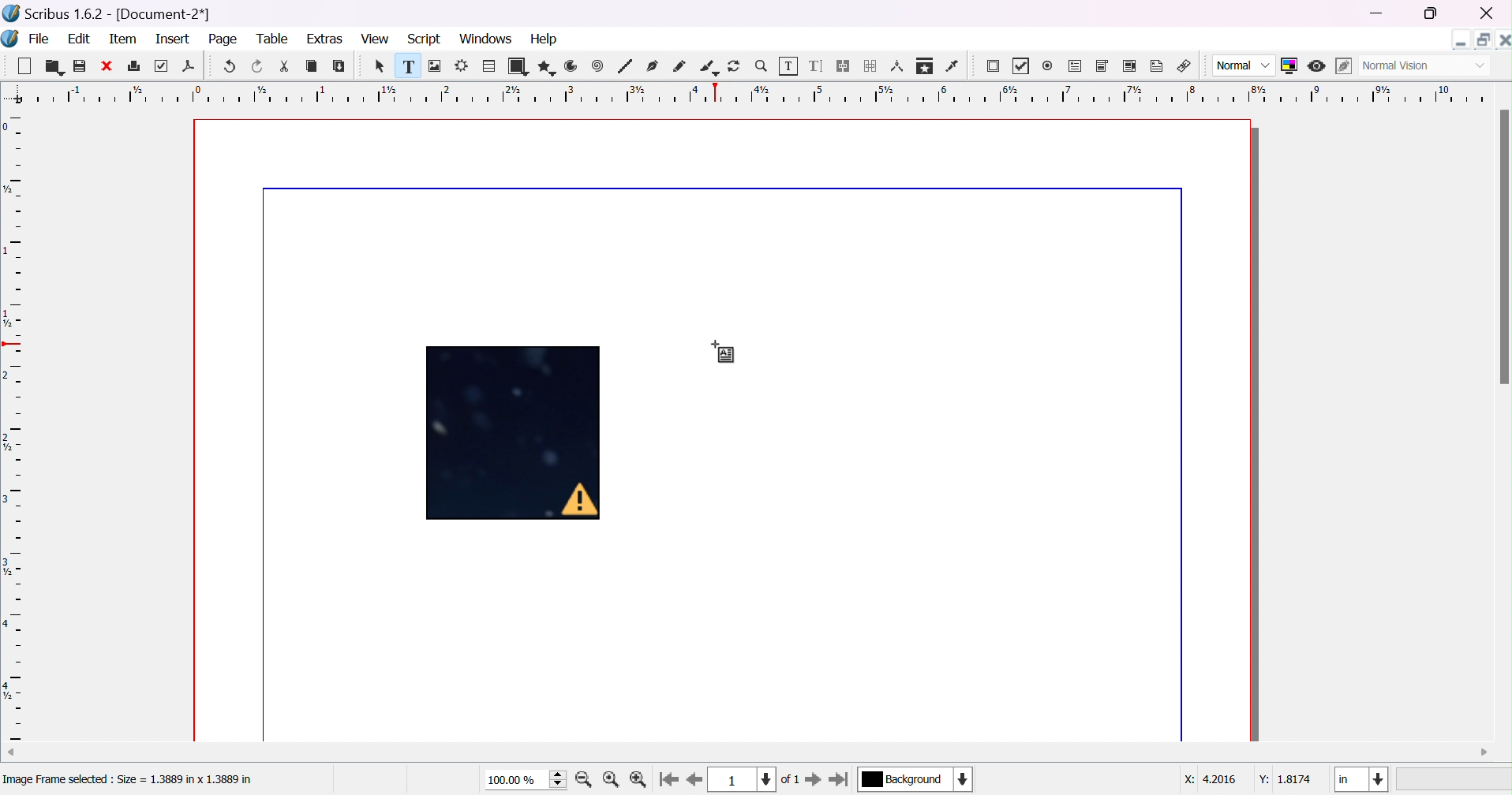 The height and width of the screenshot is (795, 1512). What do you see at coordinates (1103, 66) in the screenshot?
I see `PDF combo box` at bounding box center [1103, 66].